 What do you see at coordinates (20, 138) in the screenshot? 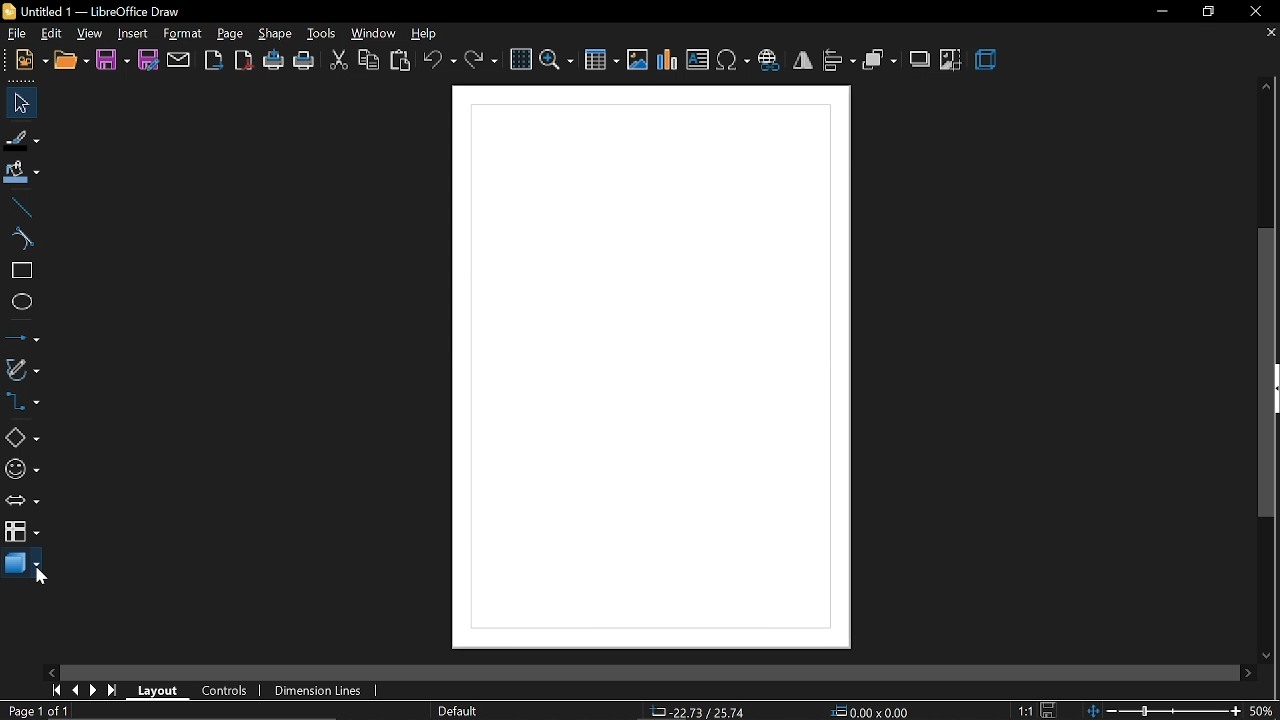
I see `fill line` at bounding box center [20, 138].